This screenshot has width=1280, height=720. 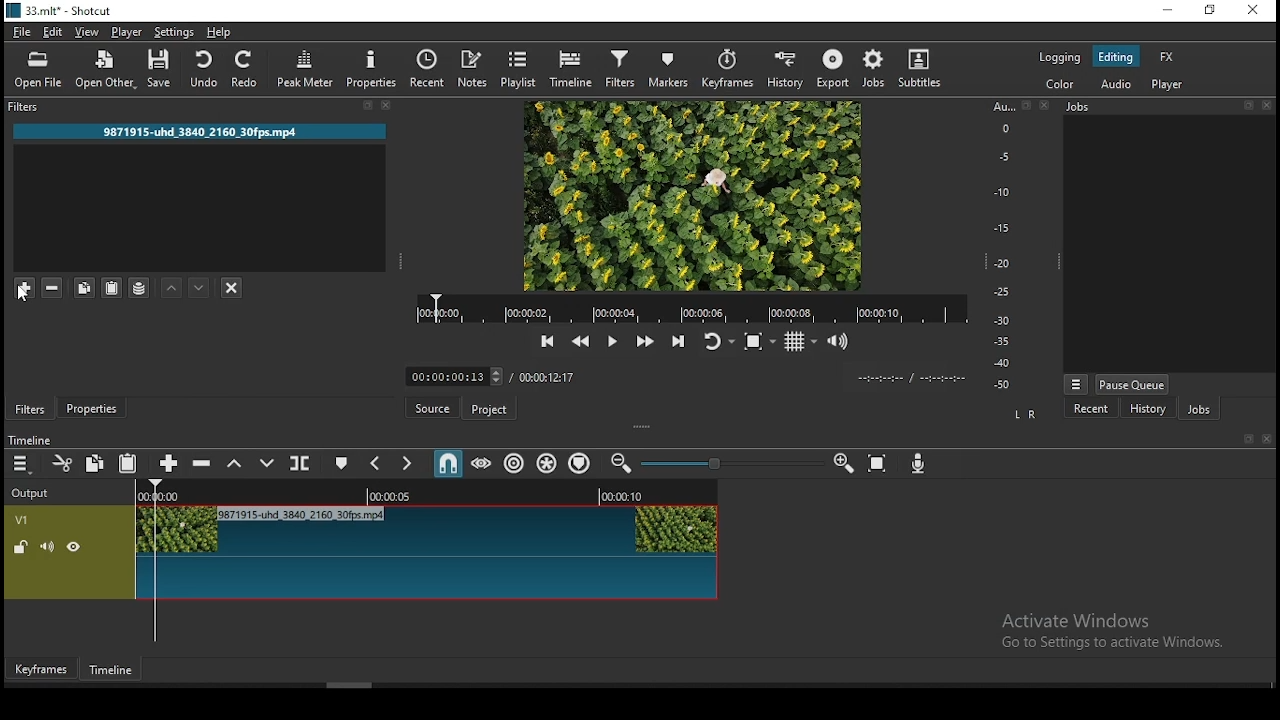 I want to click on -40, so click(x=1004, y=362).